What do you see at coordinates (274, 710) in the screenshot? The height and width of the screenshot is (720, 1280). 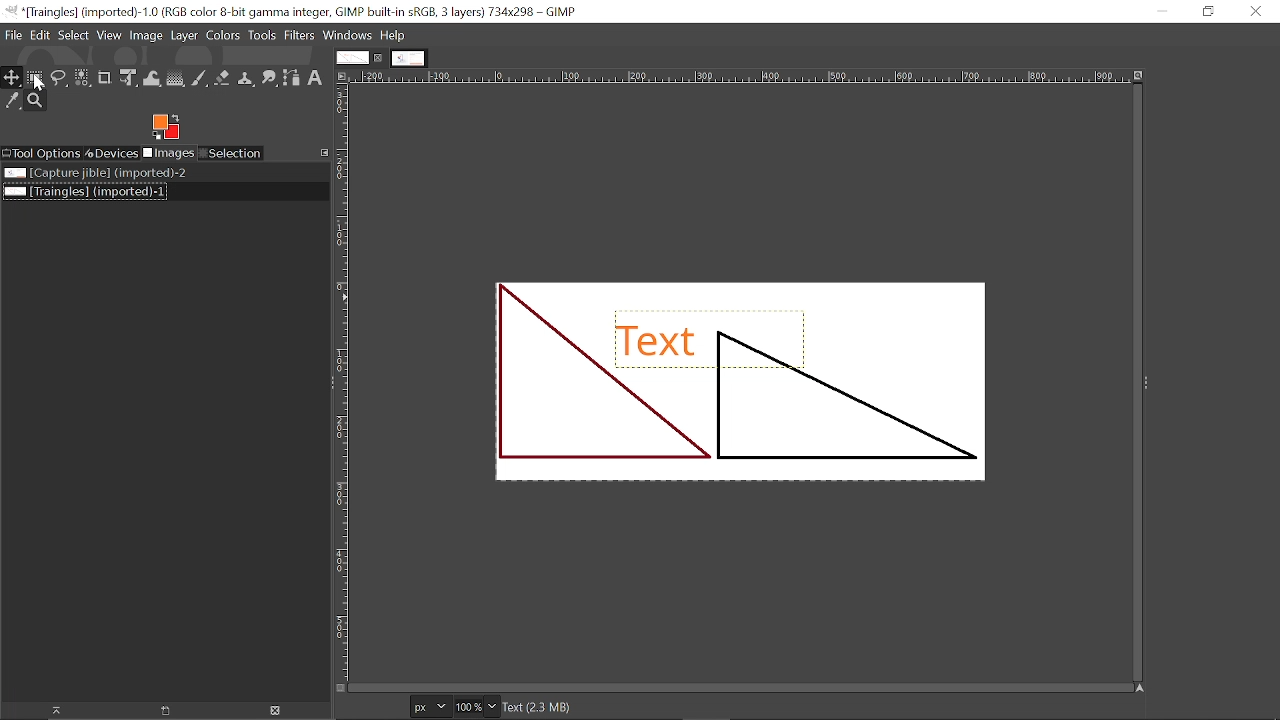 I see `Delete Image` at bounding box center [274, 710].